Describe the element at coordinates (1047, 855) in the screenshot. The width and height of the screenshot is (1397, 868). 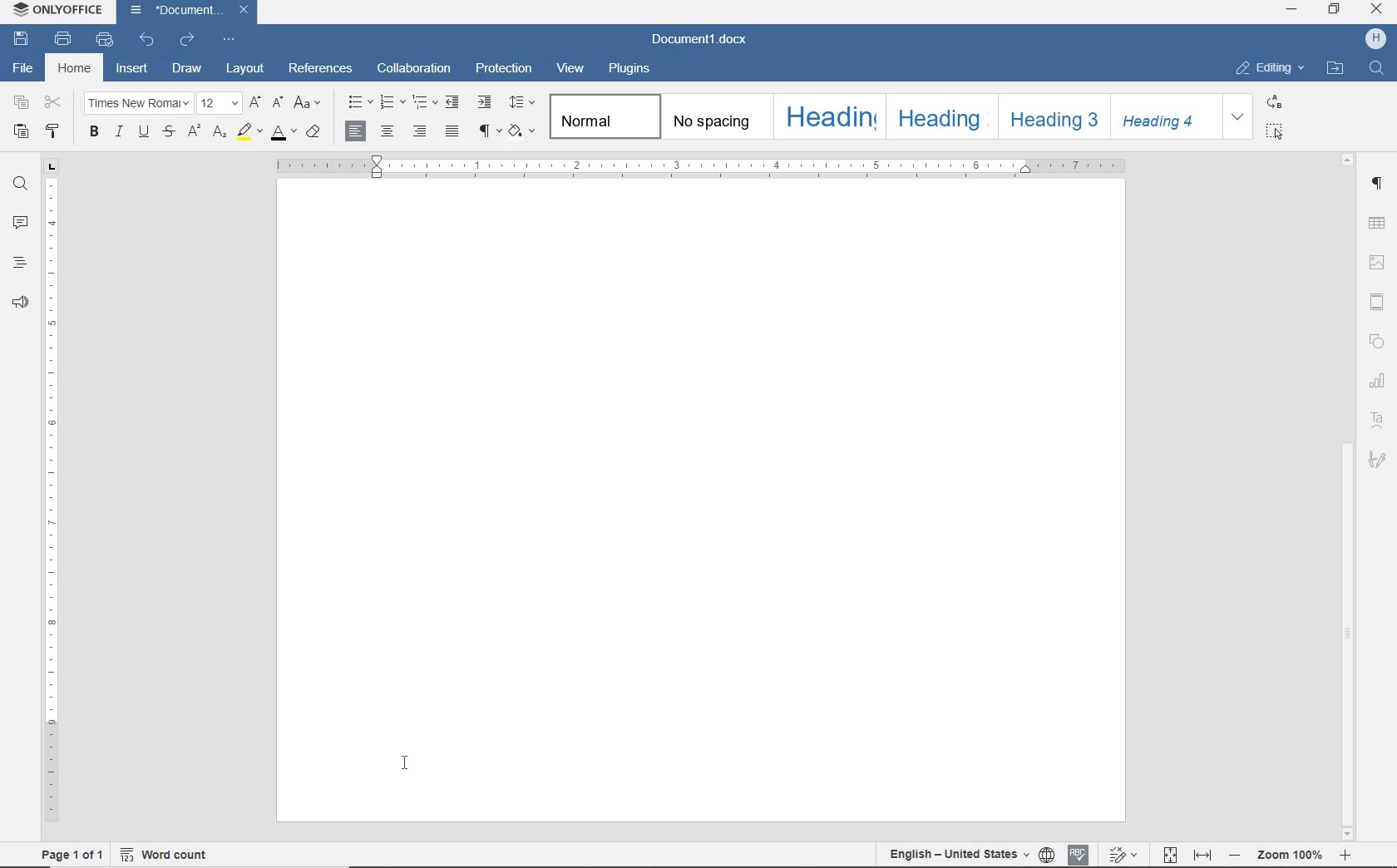
I see `set document language` at that location.